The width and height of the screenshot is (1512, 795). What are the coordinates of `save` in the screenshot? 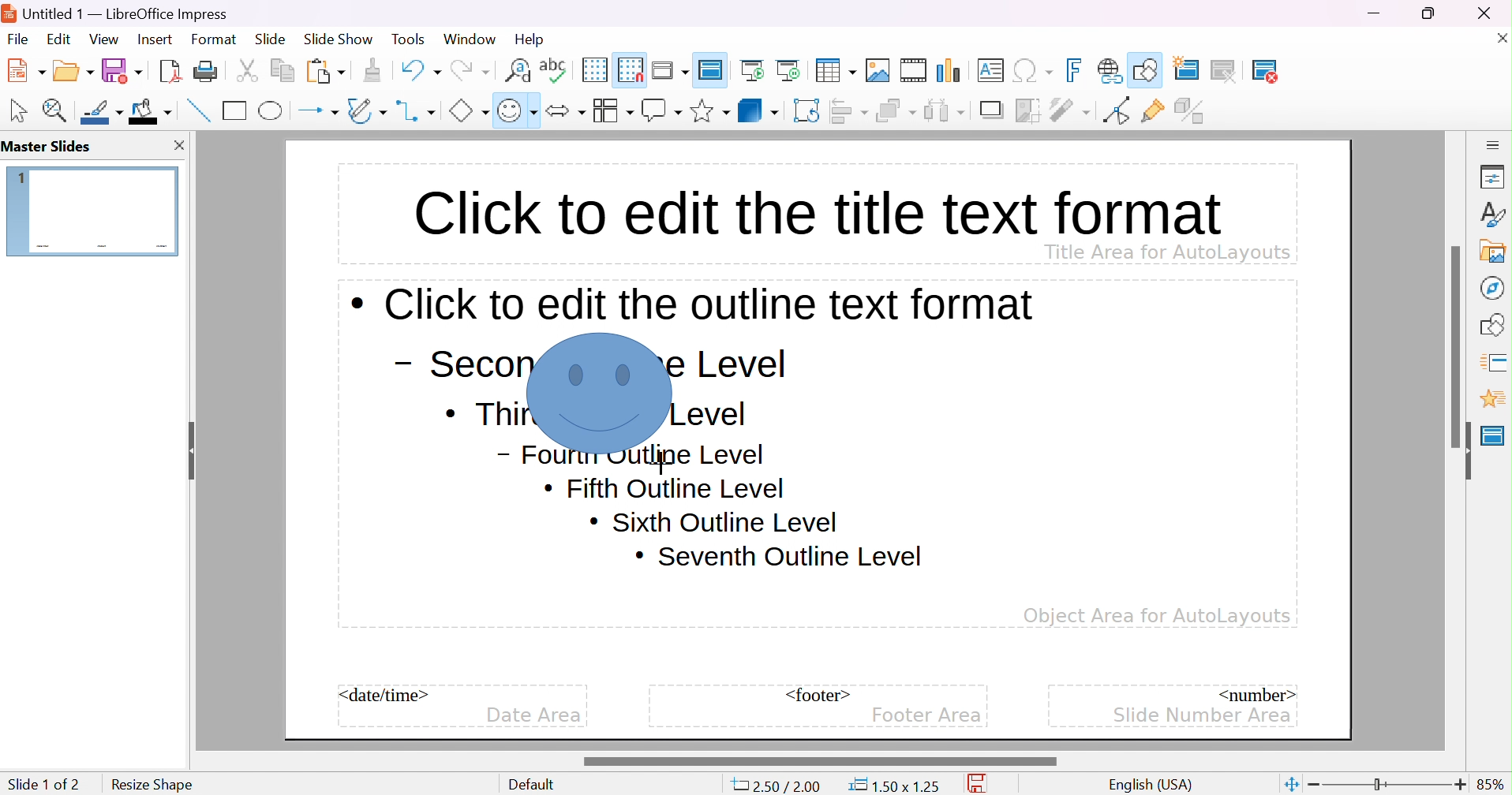 It's located at (122, 70).